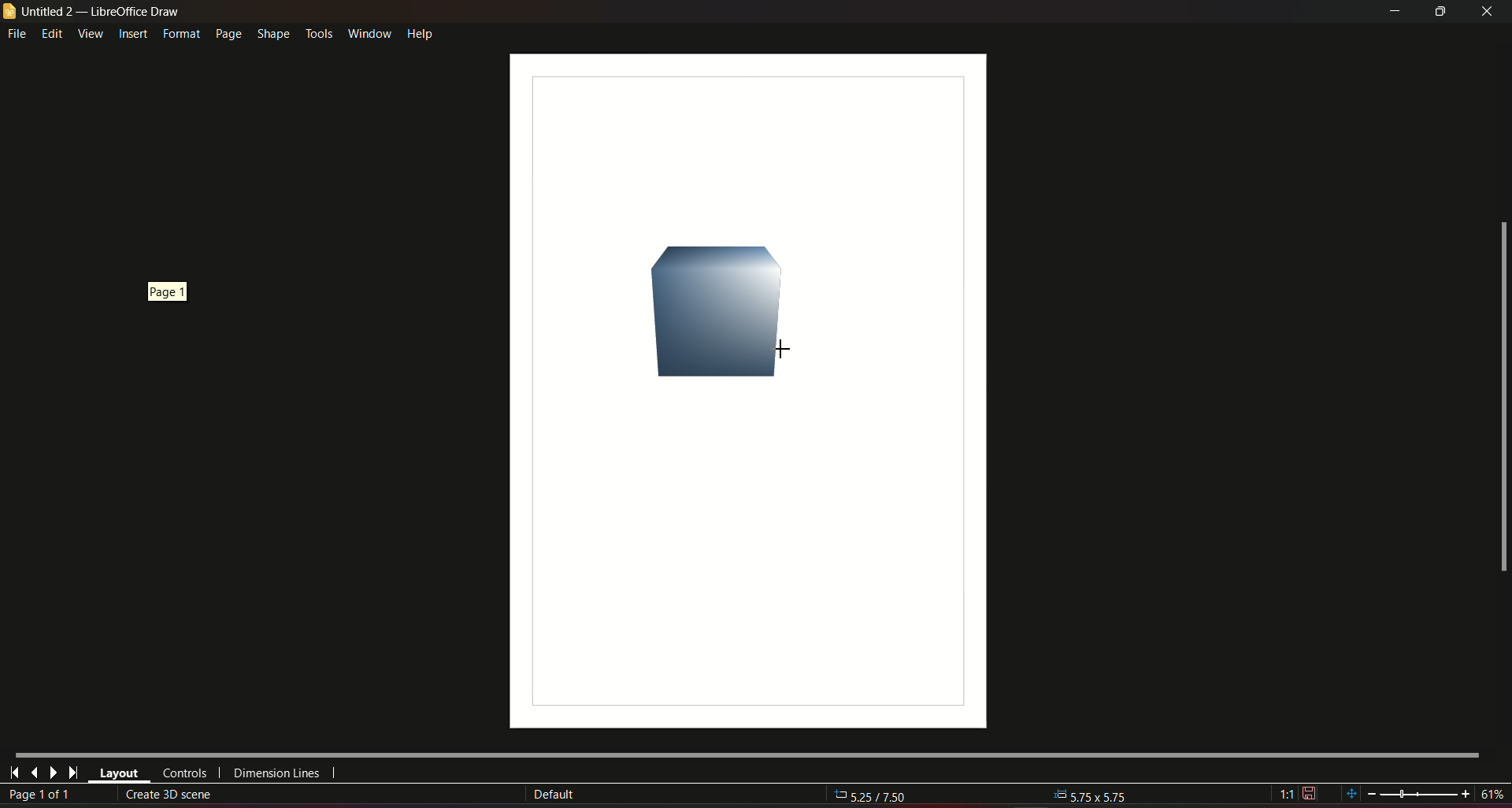 The height and width of the screenshot is (808, 1512). I want to click on untitled 2 - libreoffice draw, so click(93, 12).